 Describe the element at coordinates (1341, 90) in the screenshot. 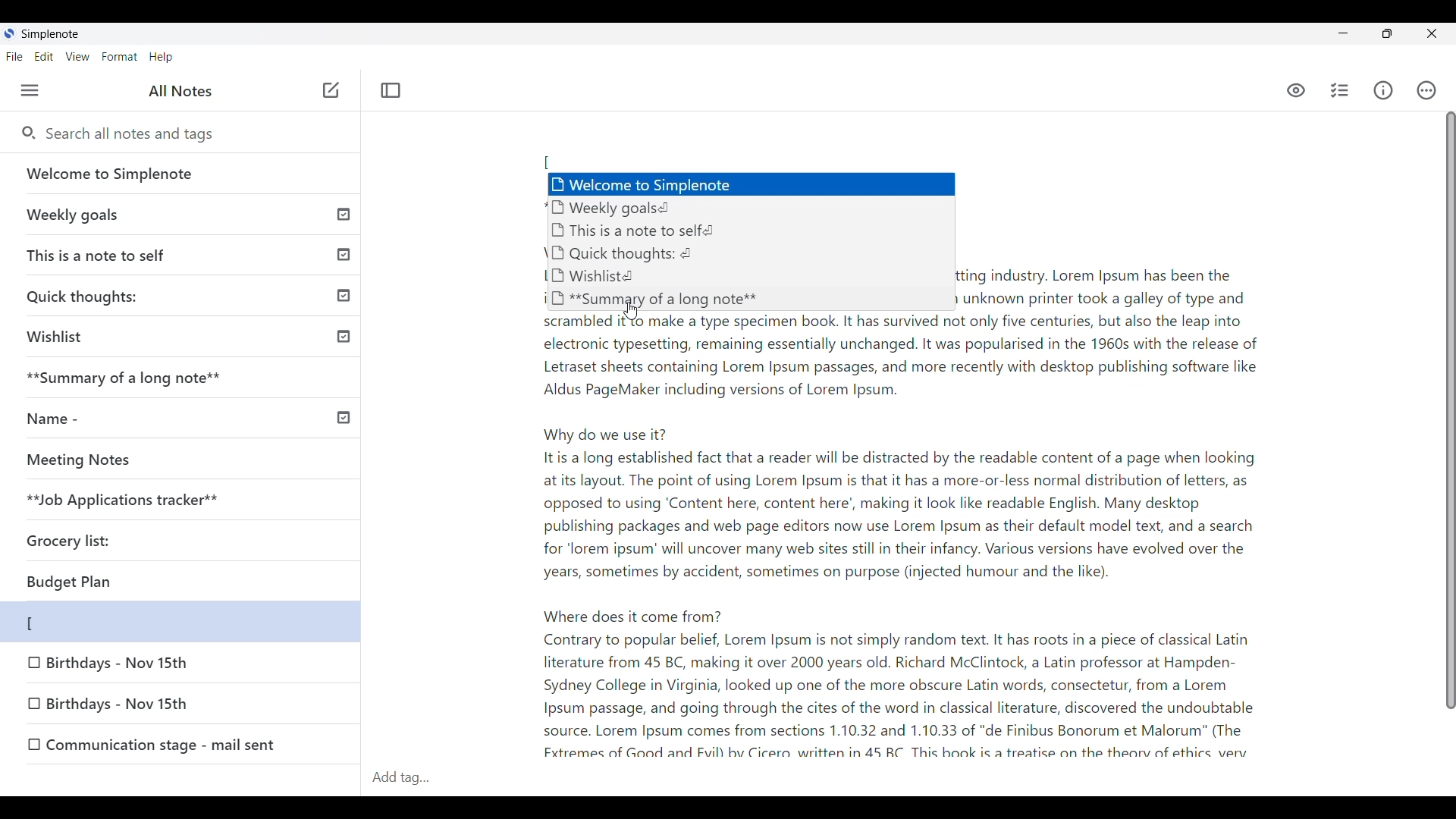

I see `Insert checklist` at that location.